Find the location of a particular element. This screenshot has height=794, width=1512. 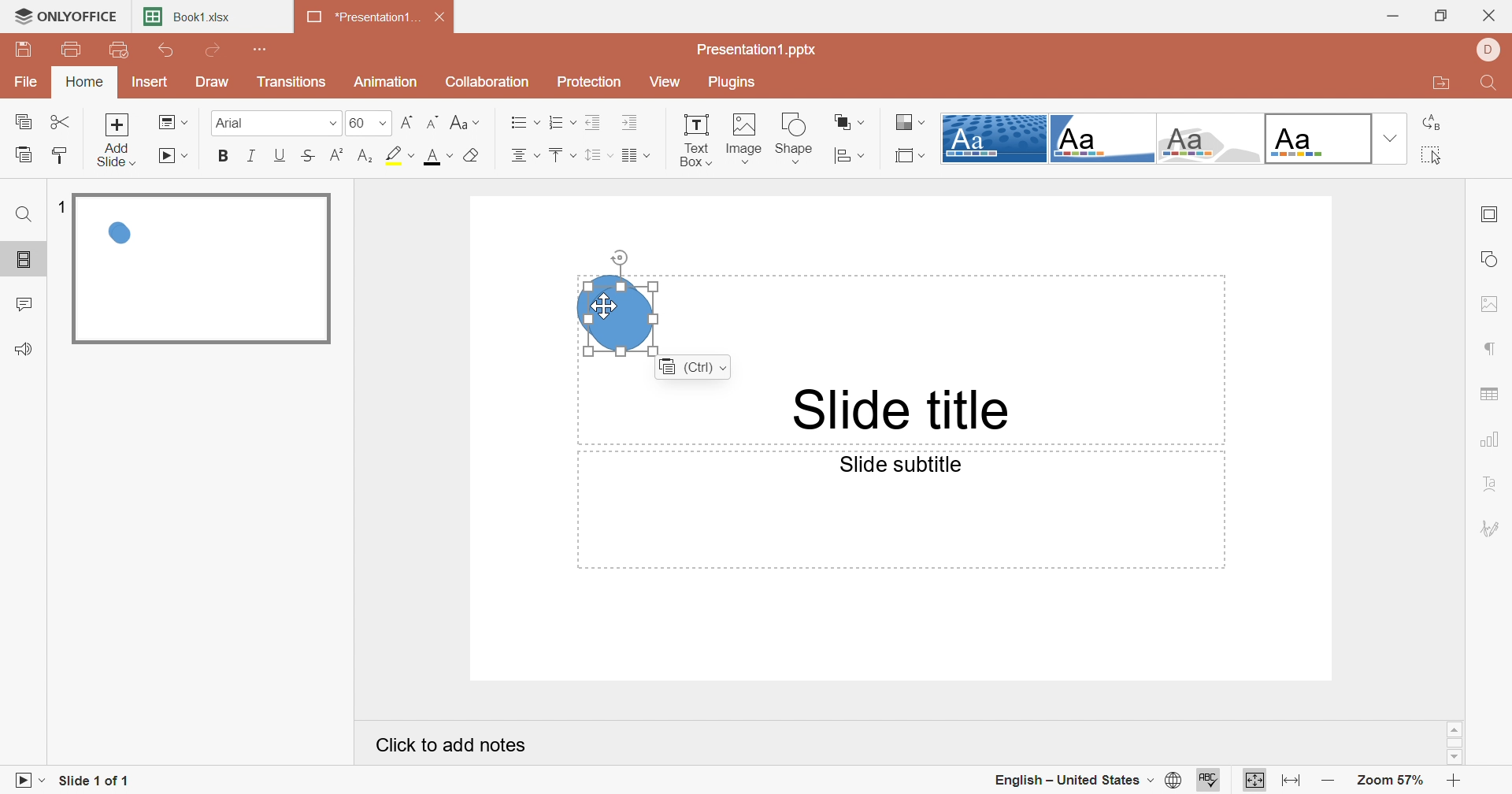

Dotted is located at coordinates (993, 139).